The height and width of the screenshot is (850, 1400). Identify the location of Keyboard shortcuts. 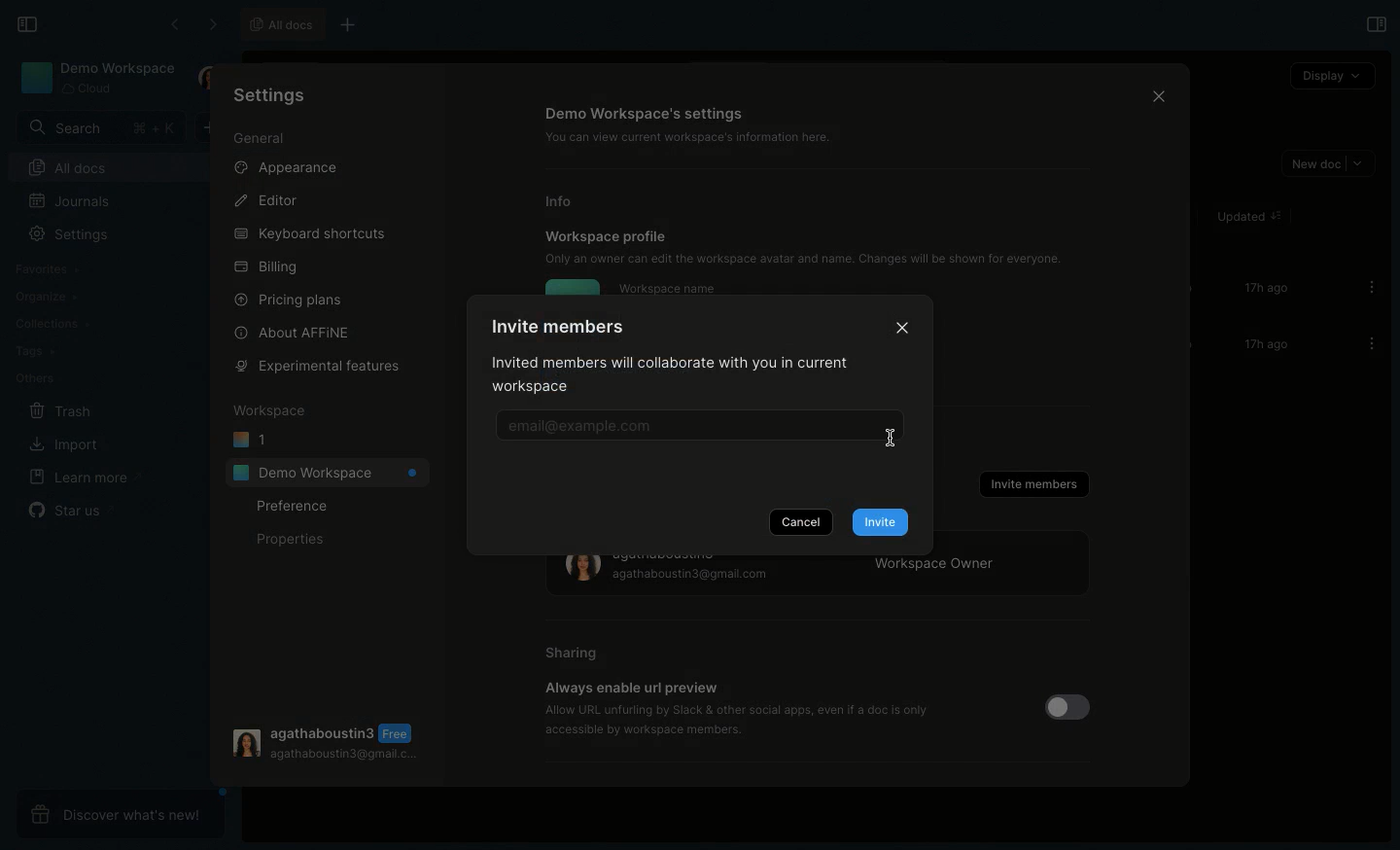
(310, 230).